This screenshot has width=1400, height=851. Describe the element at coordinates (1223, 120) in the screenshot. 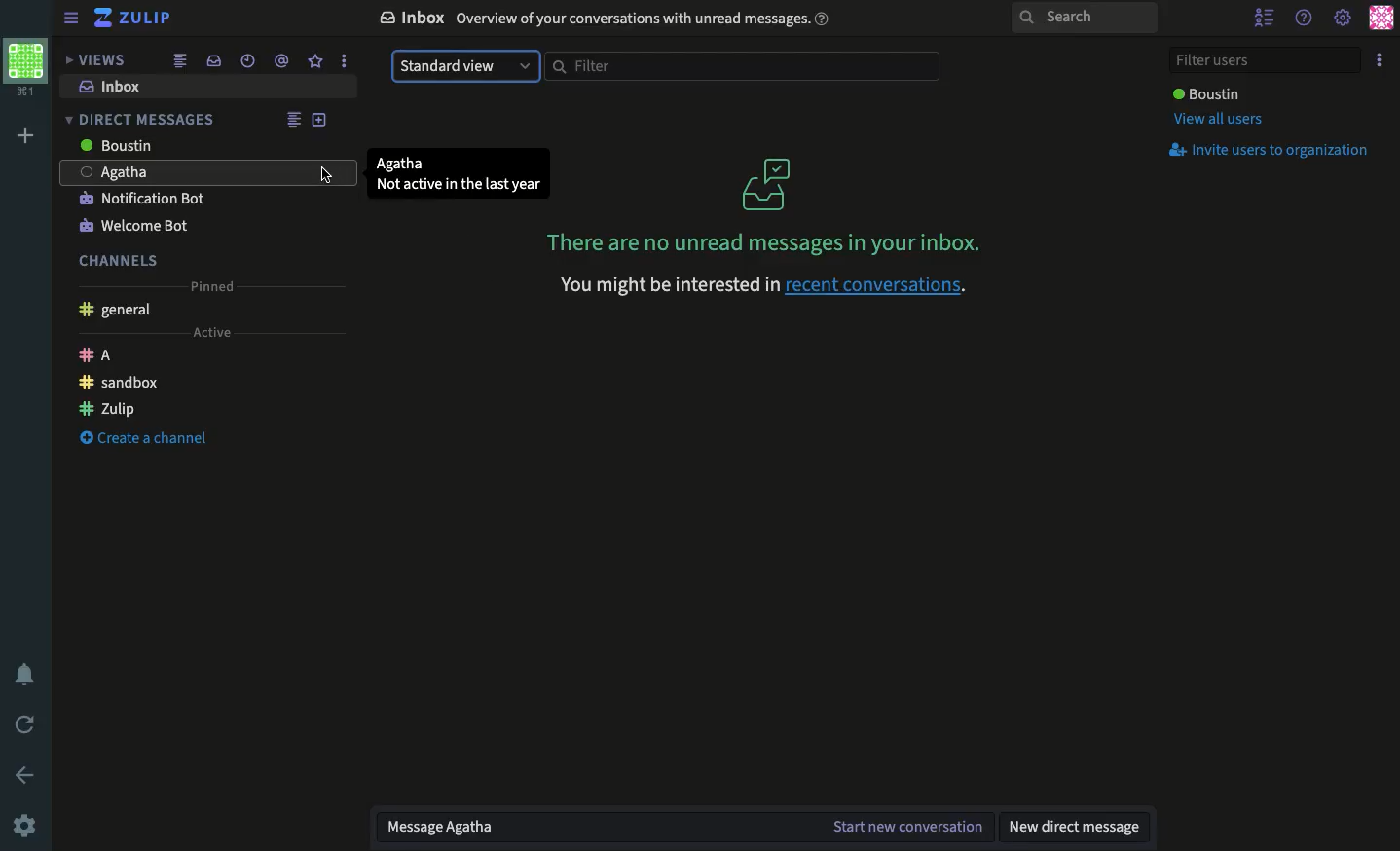

I see `View all users` at that location.